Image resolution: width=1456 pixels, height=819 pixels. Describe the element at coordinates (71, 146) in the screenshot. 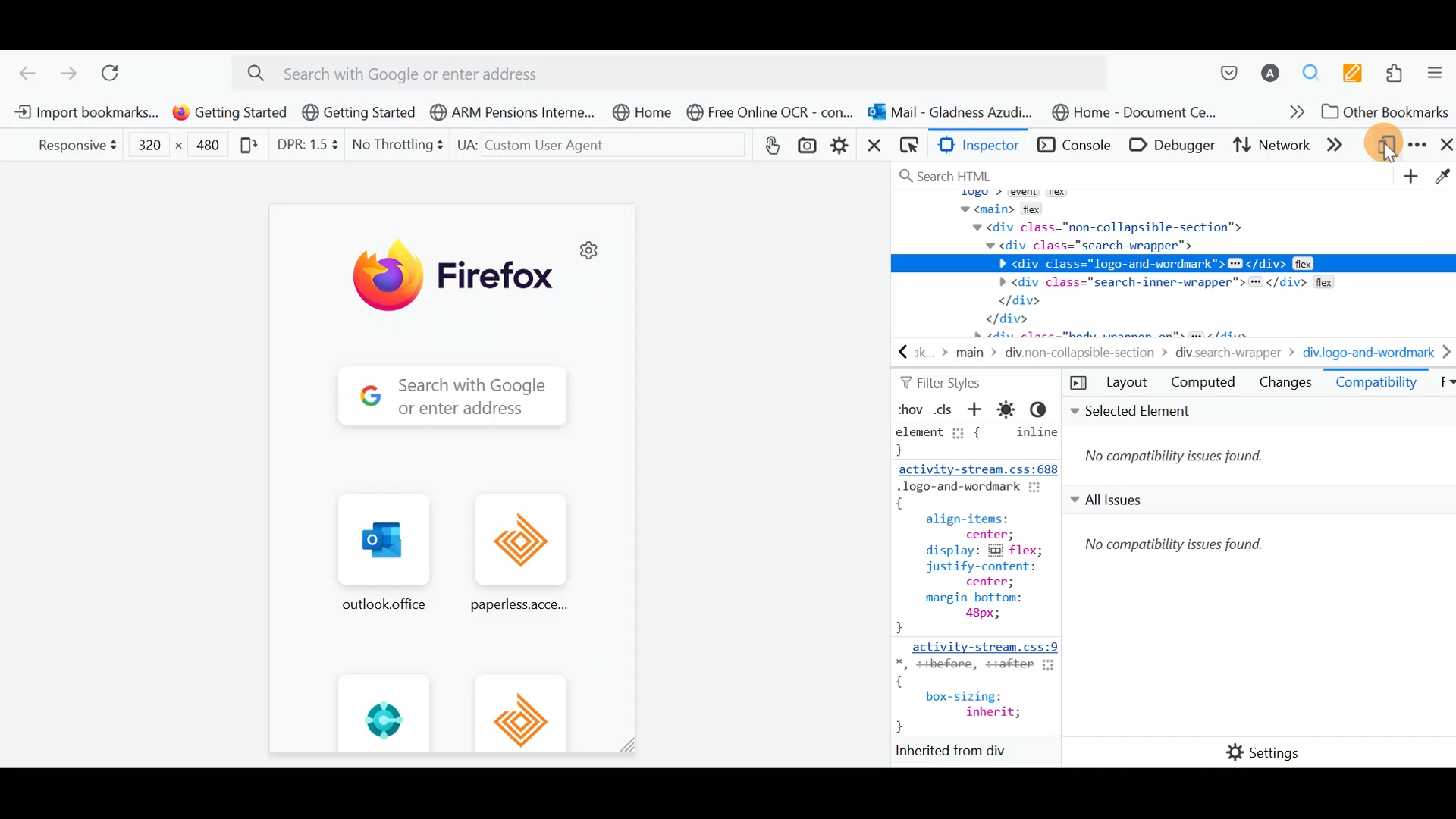

I see `Responsive` at that location.